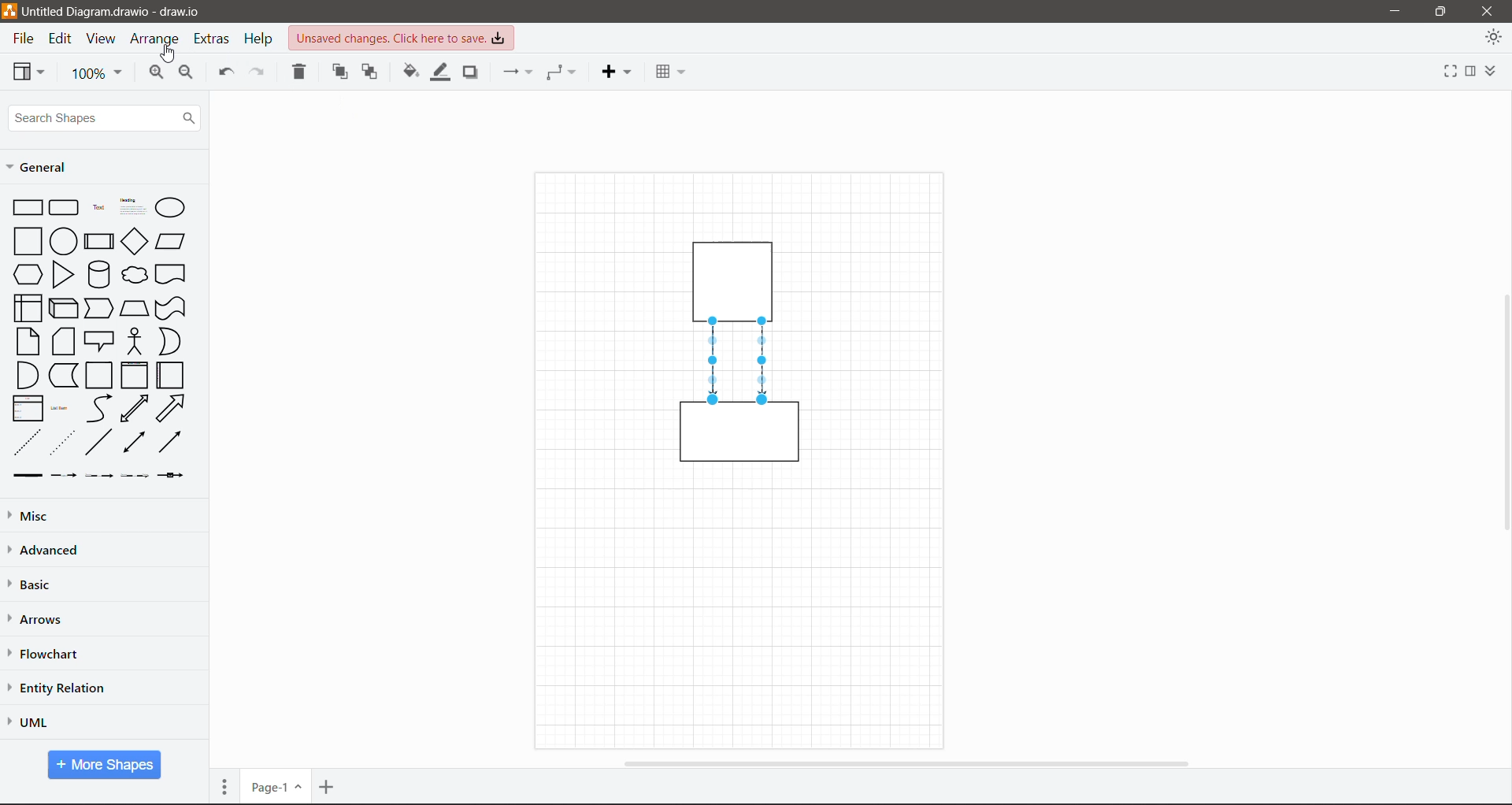  I want to click on dashed line, so click(28, 442).